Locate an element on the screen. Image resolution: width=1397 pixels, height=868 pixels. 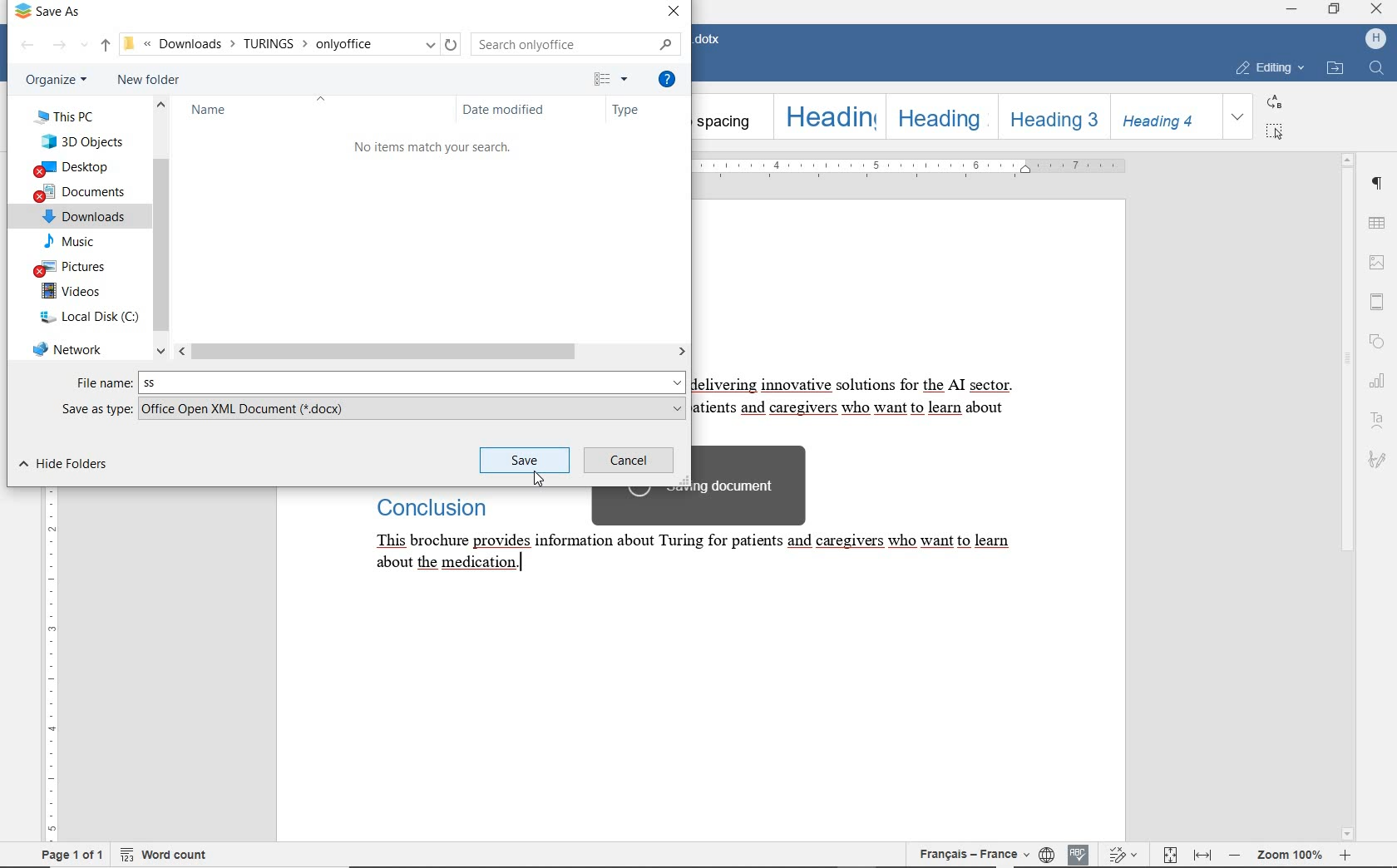
GET HELP is located at coordinates (667, 79).